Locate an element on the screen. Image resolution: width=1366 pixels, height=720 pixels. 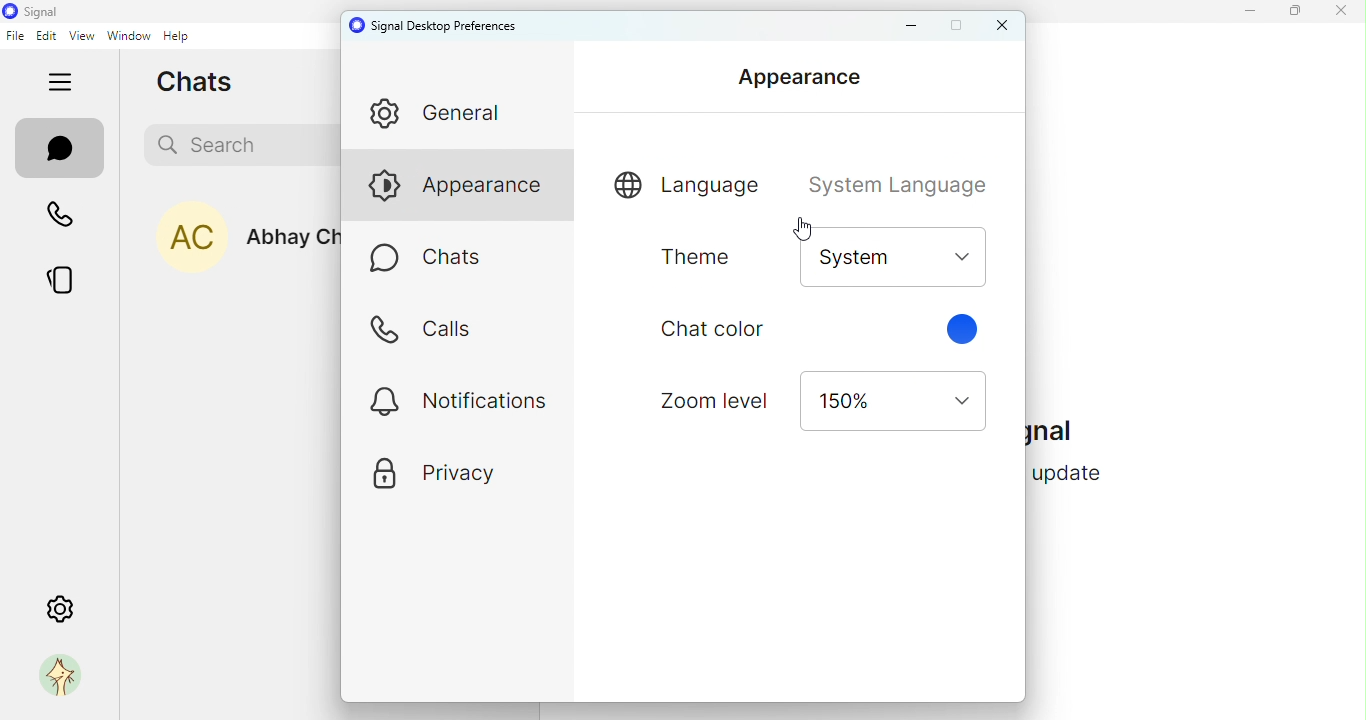
notifications is located at coordinates (453, 399).